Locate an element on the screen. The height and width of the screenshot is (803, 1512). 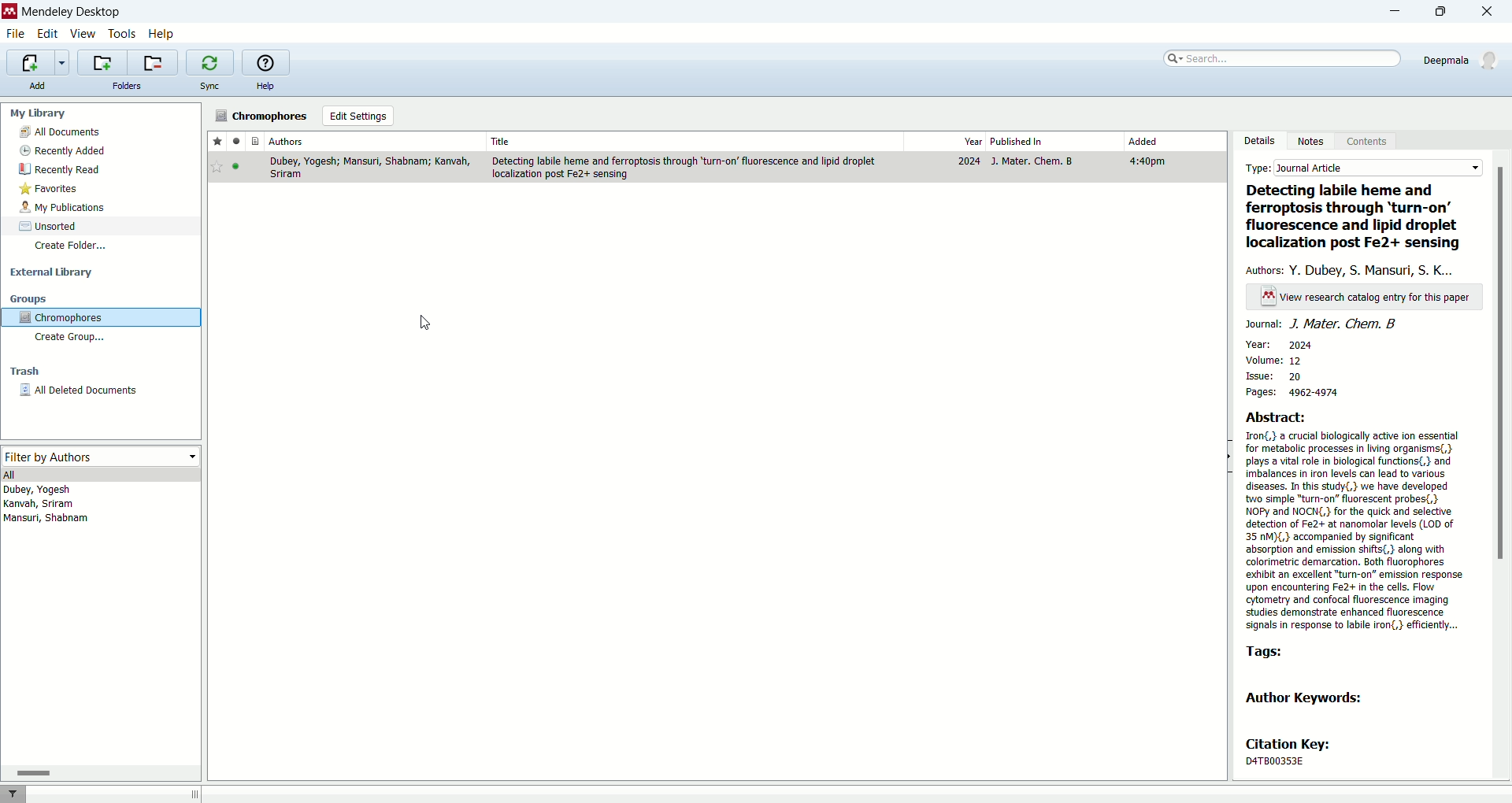
Title is located at coordinates (695, 141).